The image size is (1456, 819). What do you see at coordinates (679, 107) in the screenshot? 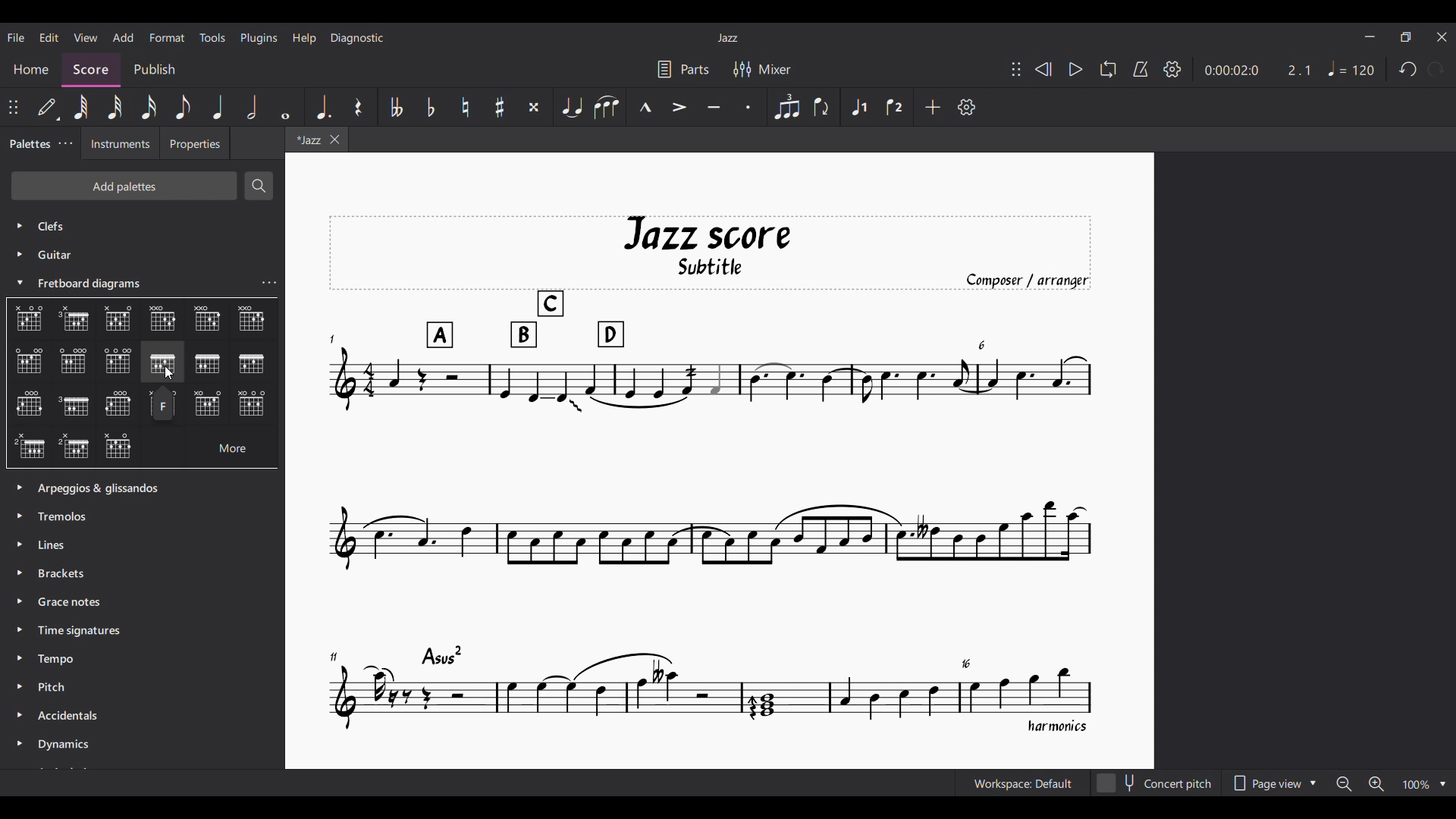
I see `Accent` at bounding box center [679, 107].